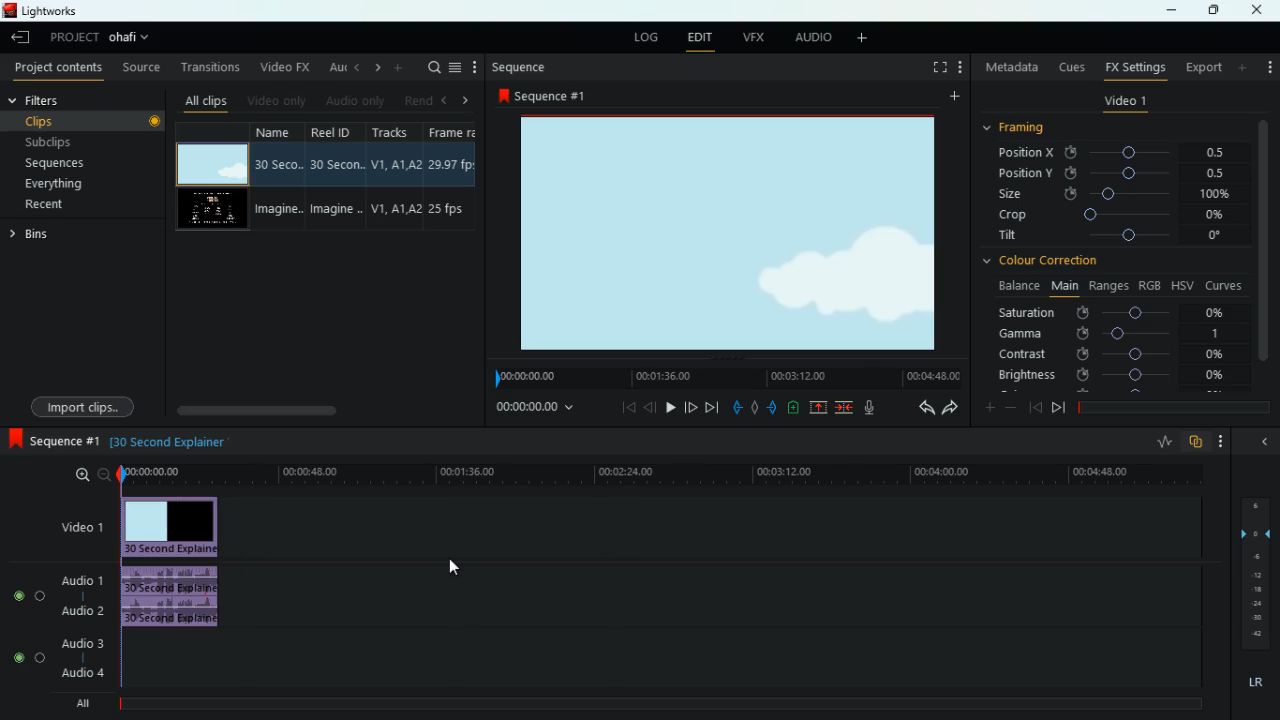  I want to click on all clips, so click(203, 101).